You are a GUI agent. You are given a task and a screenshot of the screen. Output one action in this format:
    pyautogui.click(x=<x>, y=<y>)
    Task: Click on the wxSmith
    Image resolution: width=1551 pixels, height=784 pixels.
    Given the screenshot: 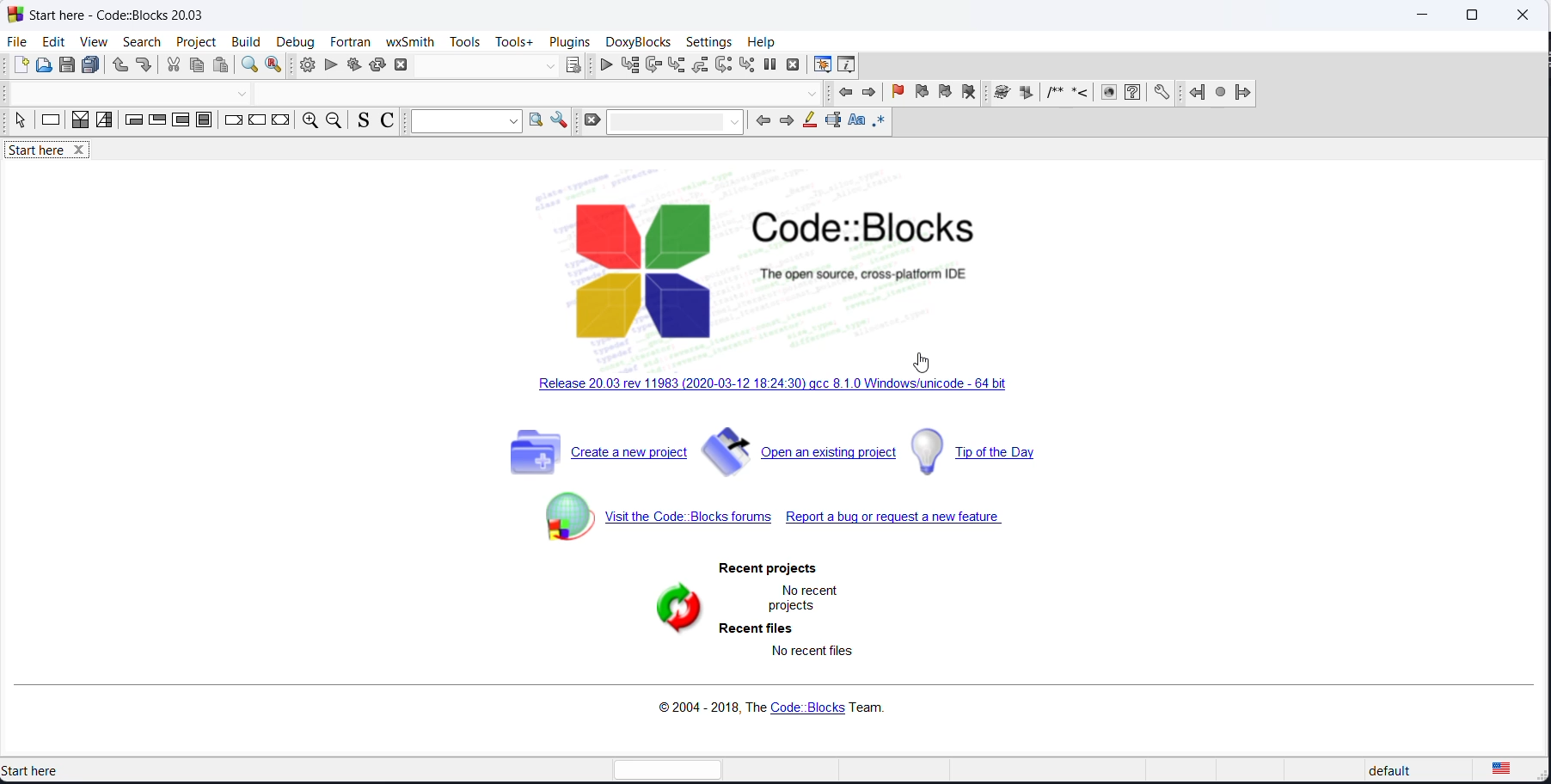 What is the action you would take?
    pyautogui.click(x=408, y=41)
    